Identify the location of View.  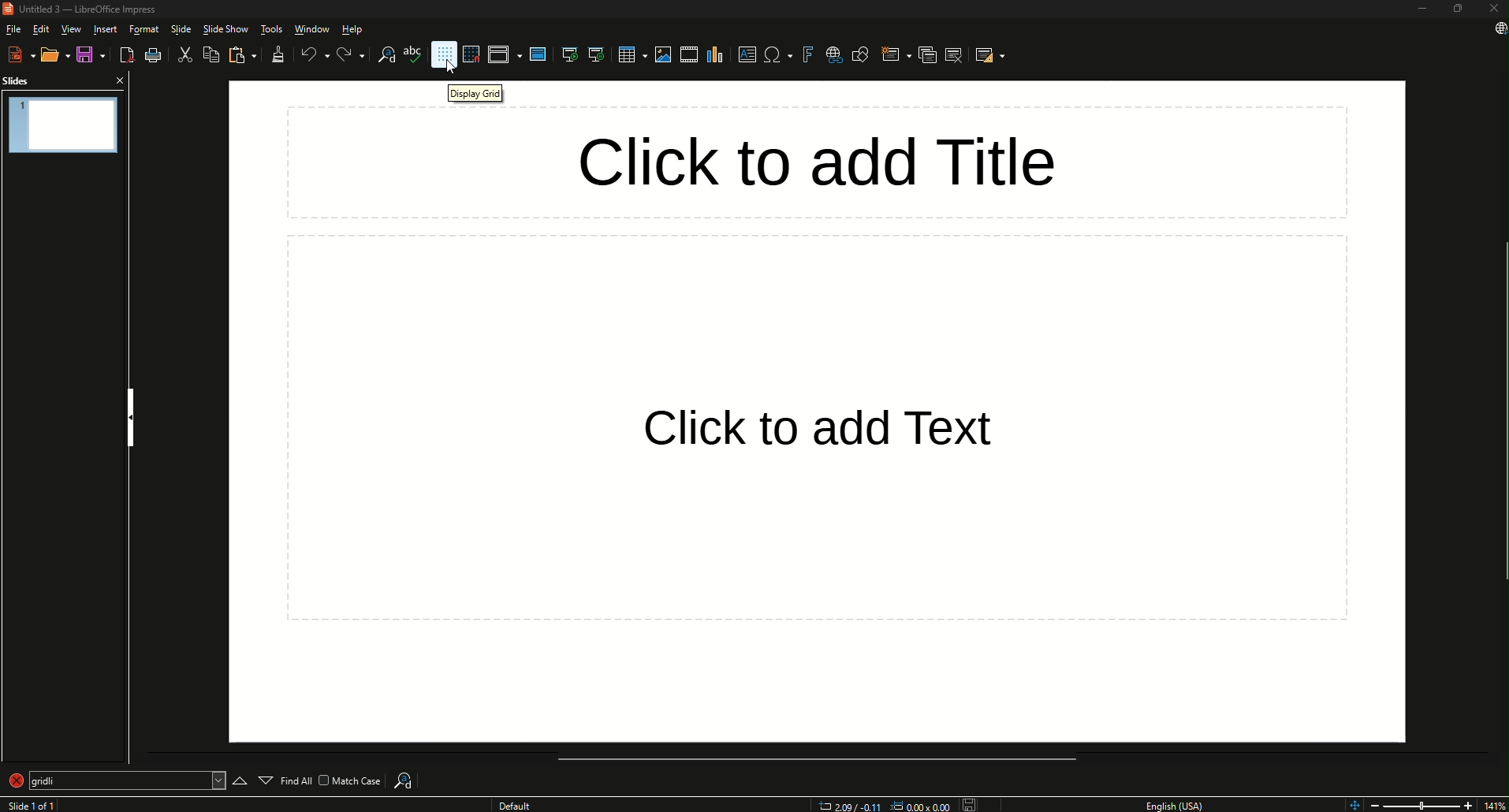
(70, 28).